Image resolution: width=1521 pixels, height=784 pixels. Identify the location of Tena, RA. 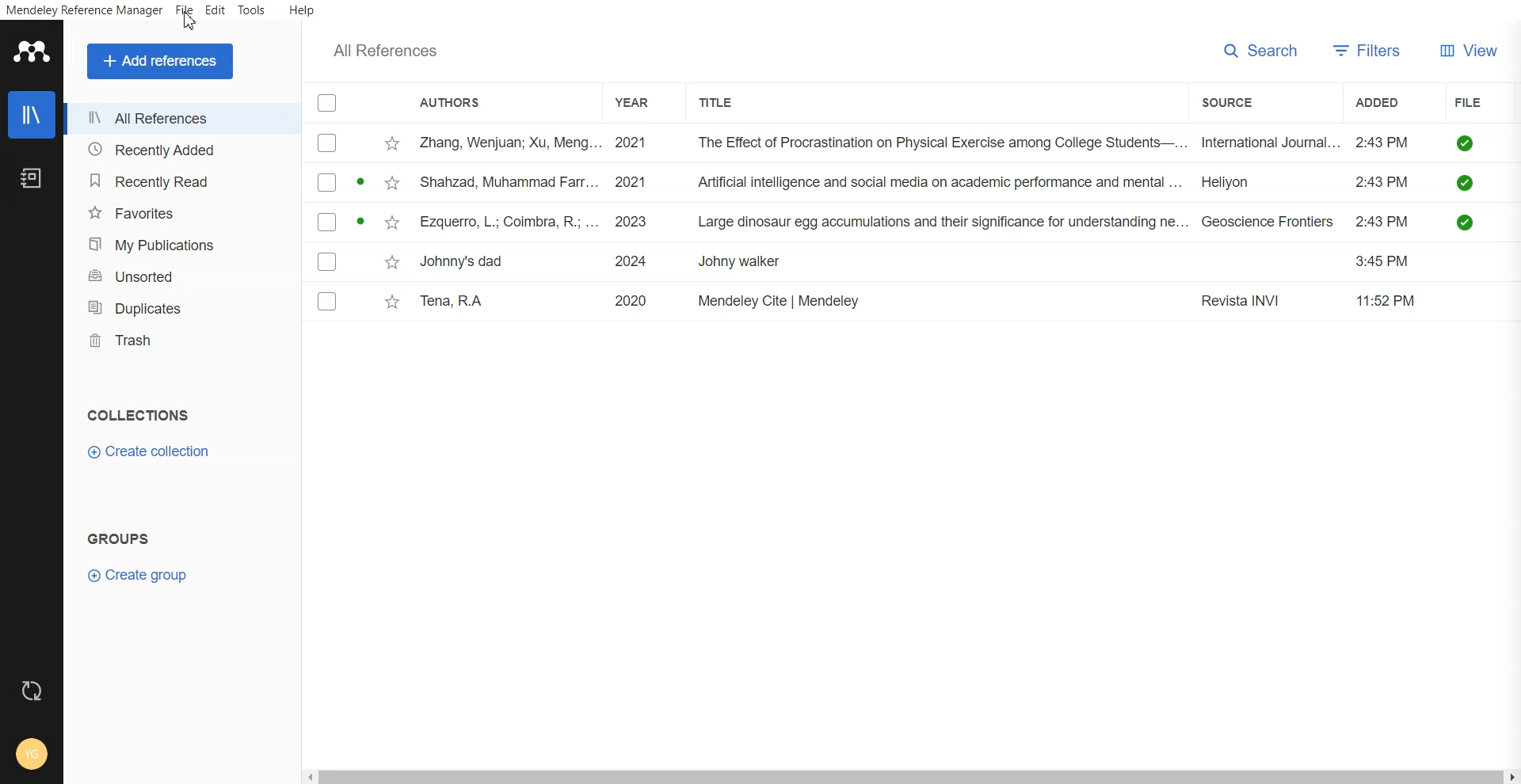
(456, 301).